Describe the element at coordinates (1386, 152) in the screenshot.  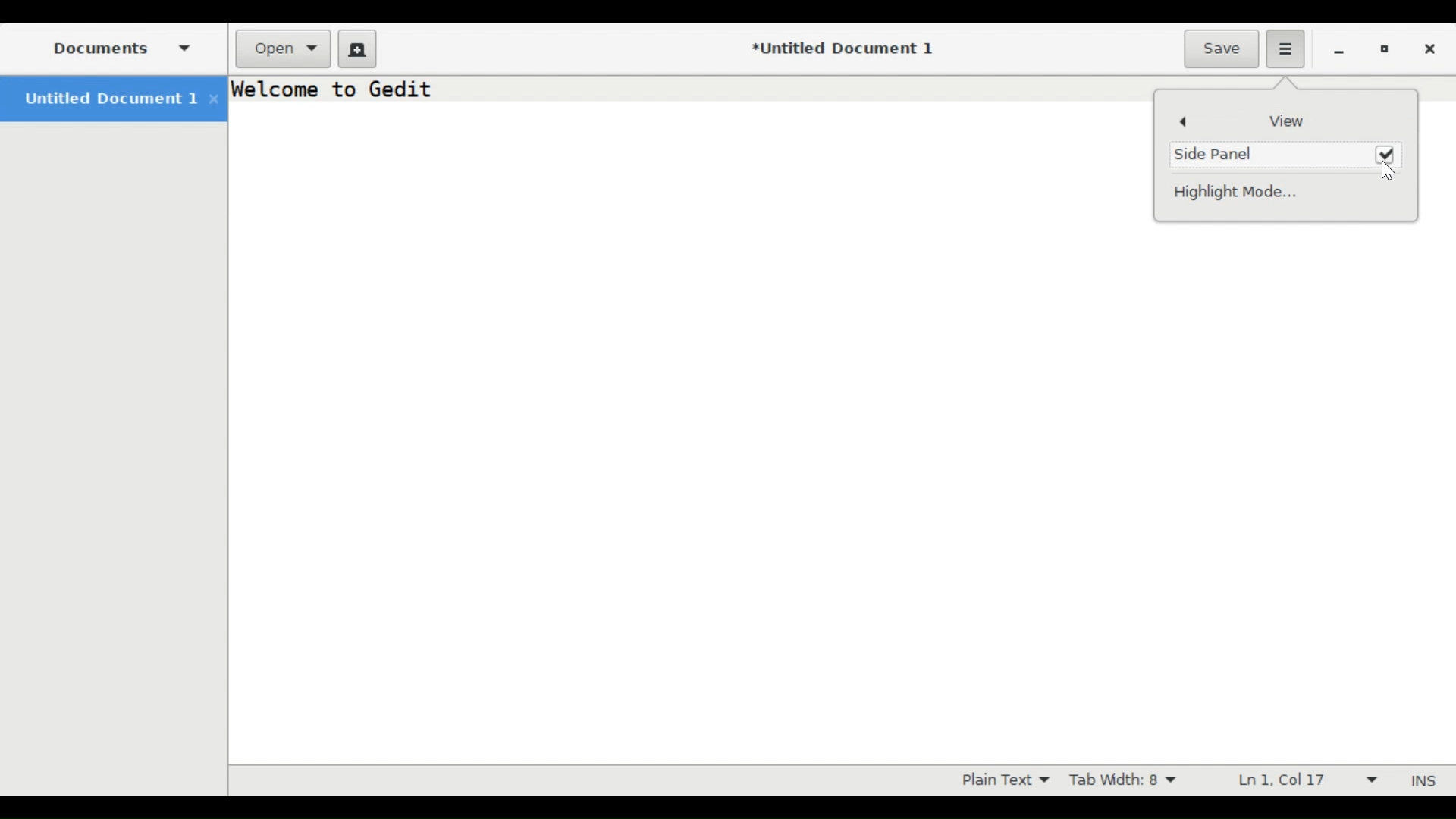
I see `checked checkbox` at that location.